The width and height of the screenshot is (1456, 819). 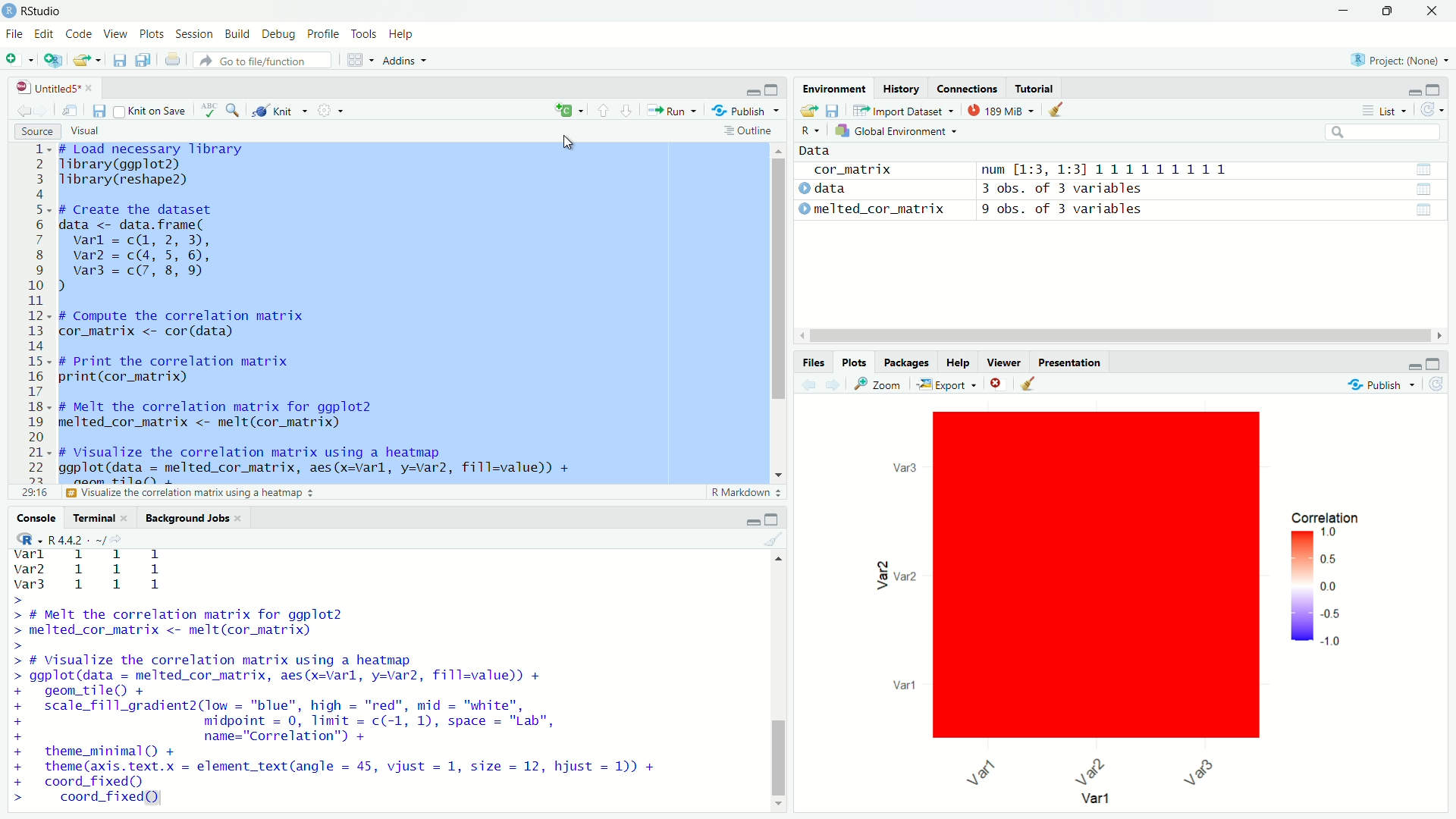 I want to click on go previous, so click(x=24, y=109).